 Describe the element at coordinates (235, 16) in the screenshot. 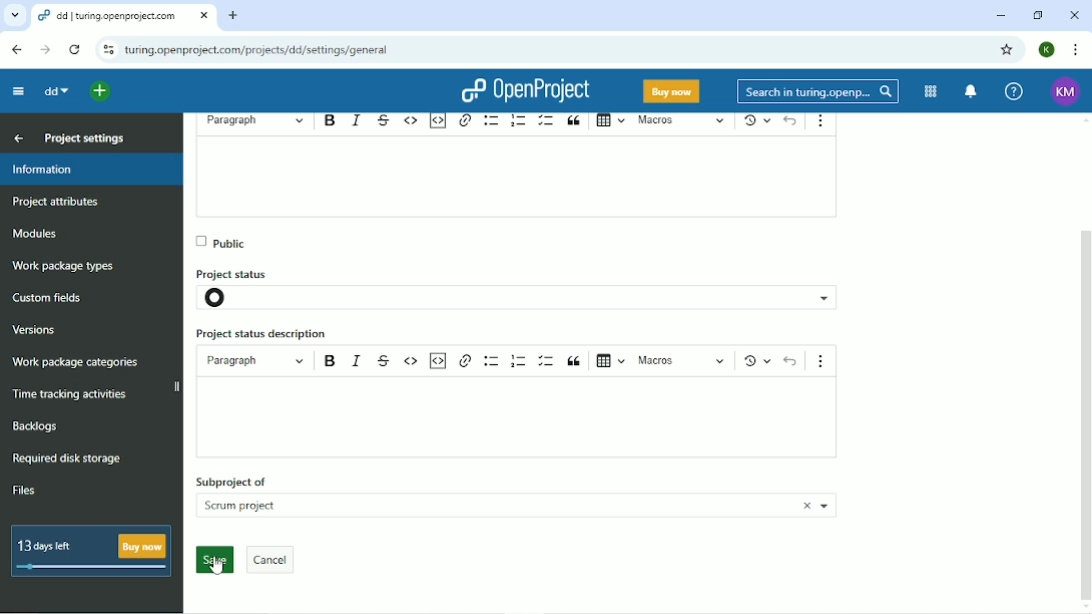

I see `New tab` at that location.